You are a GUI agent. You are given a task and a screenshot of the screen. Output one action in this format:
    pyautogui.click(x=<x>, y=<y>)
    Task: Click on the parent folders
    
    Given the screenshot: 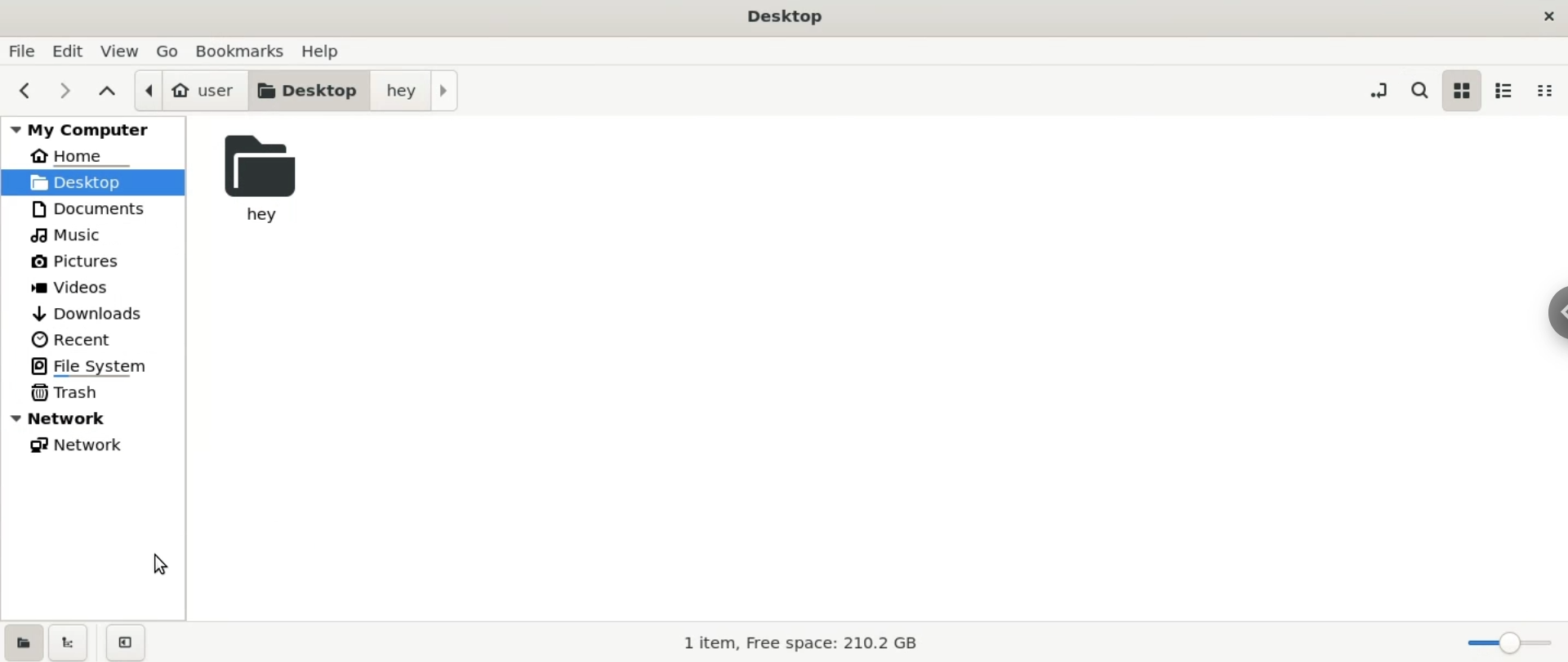 What is the action you would take?
    pyautogui.click(x=110, y=91)
    